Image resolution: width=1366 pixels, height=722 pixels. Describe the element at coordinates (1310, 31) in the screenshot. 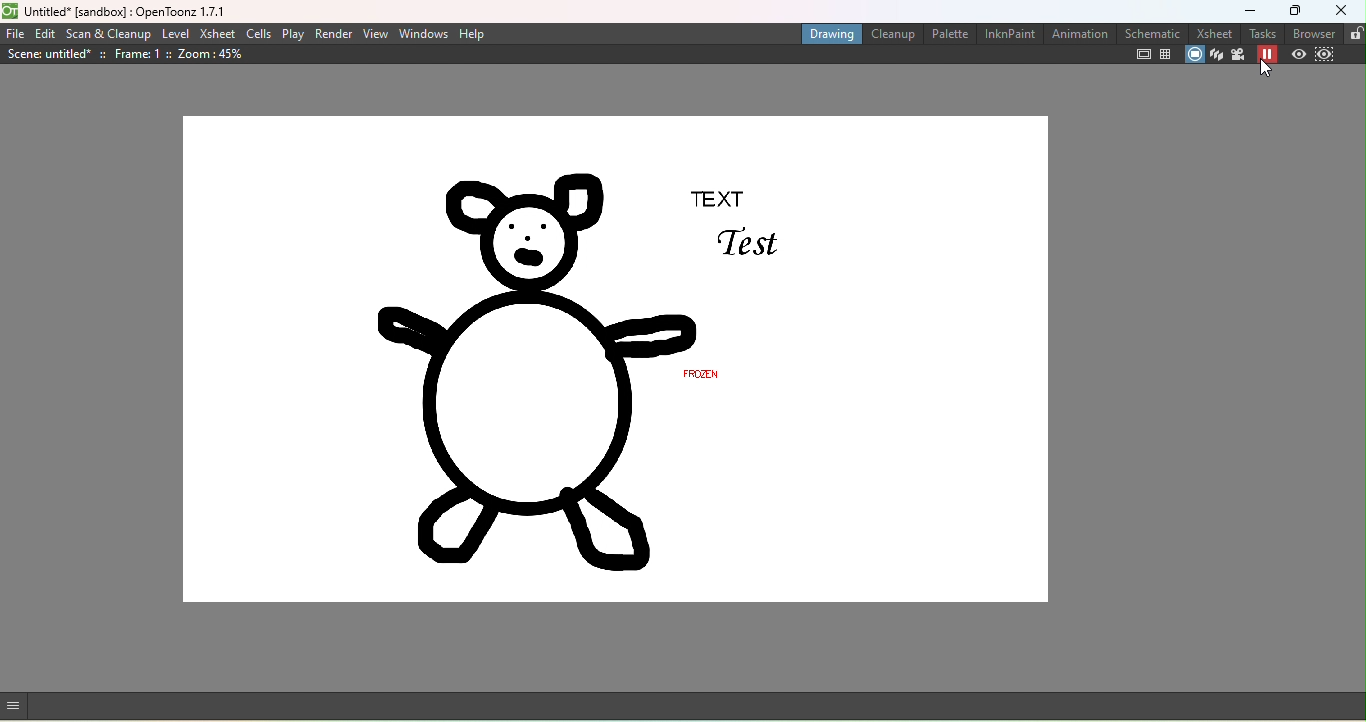

I see `Browser` at that location.